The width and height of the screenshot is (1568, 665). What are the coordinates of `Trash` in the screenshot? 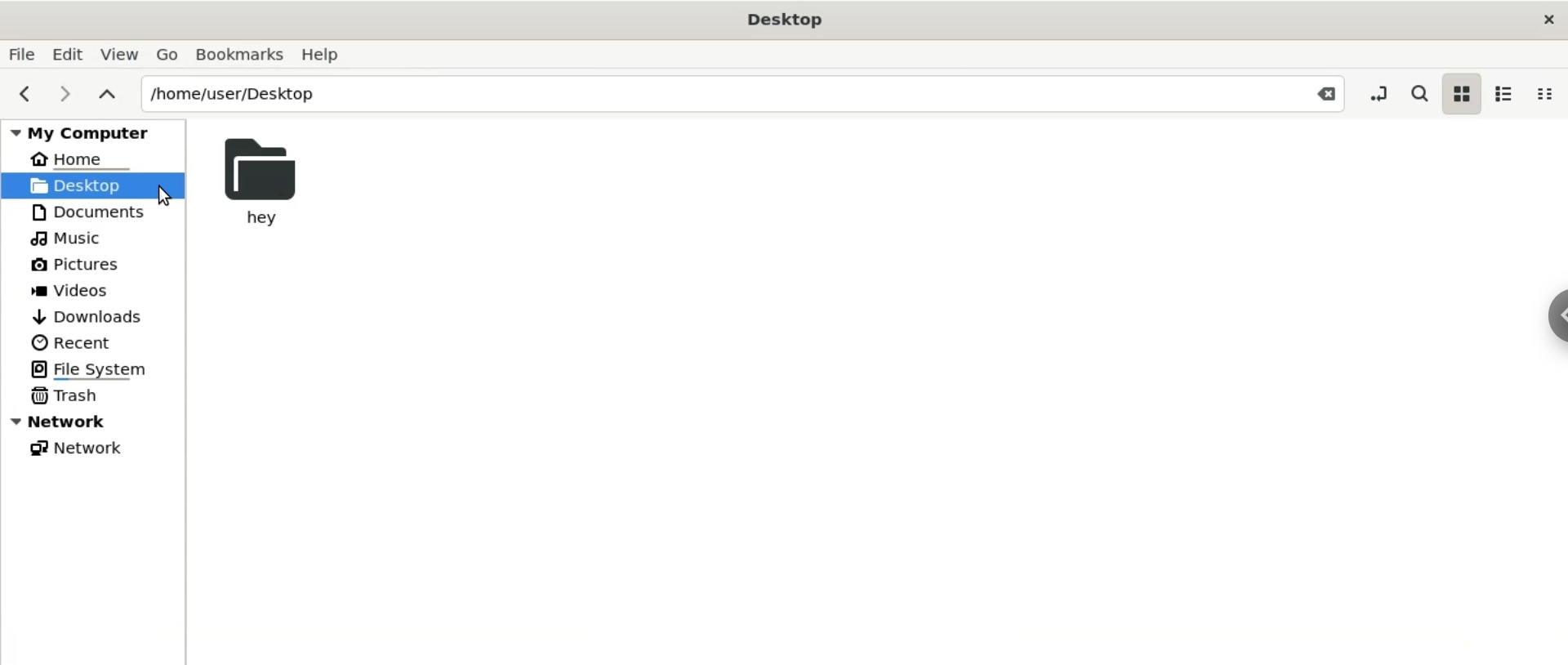 It's located at (71, 399).